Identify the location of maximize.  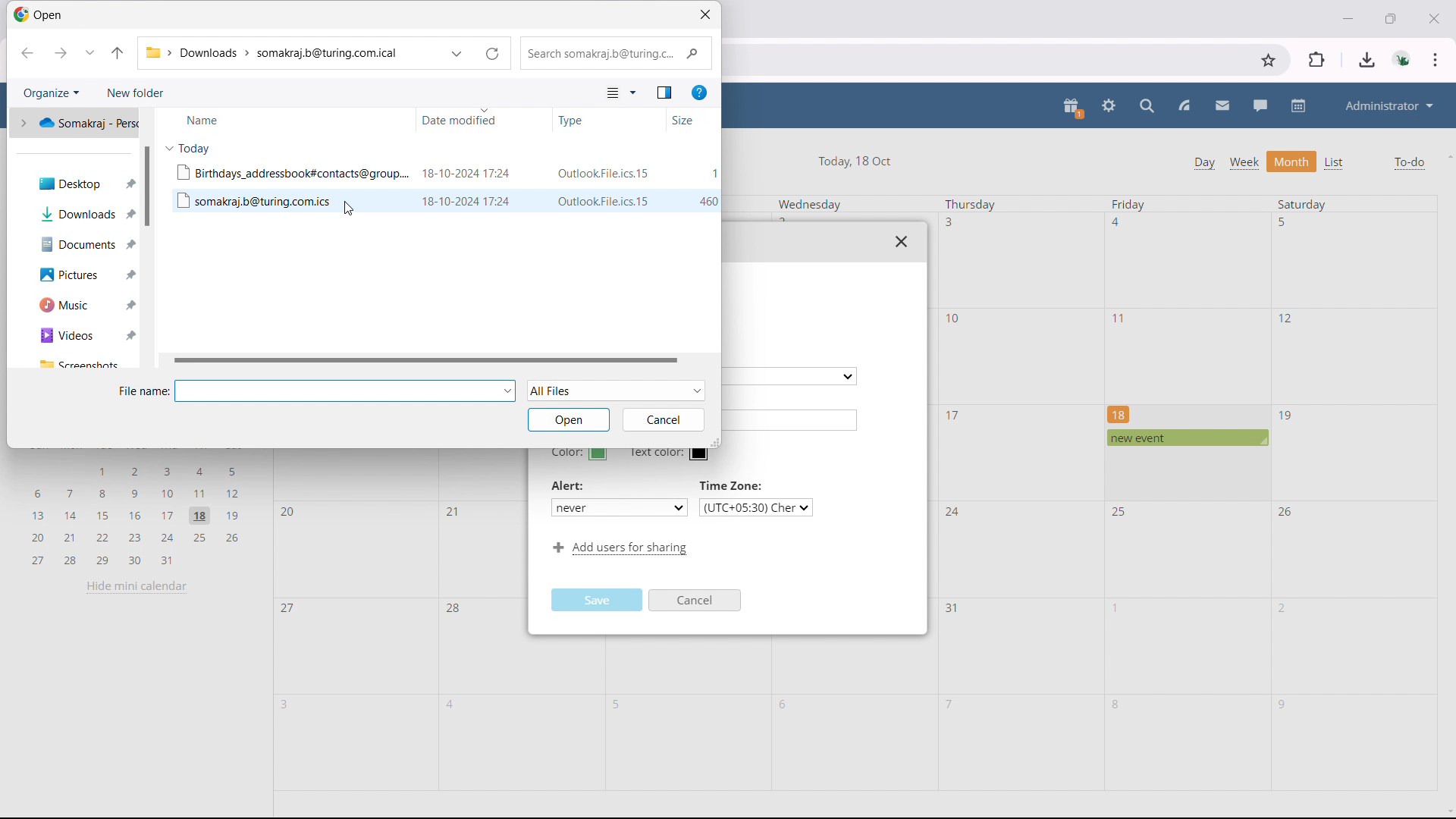
(1391, 17).